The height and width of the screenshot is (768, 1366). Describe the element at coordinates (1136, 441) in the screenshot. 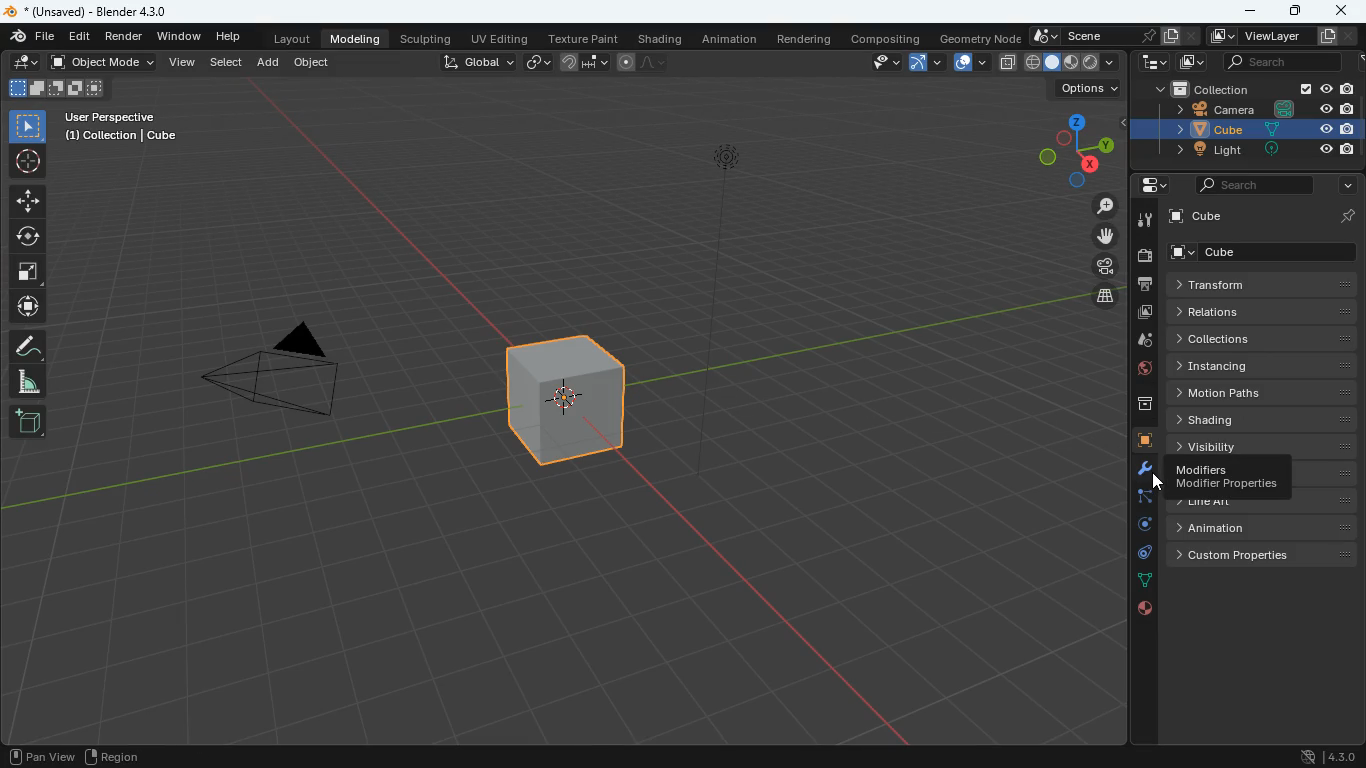

I see `cube` at that location.